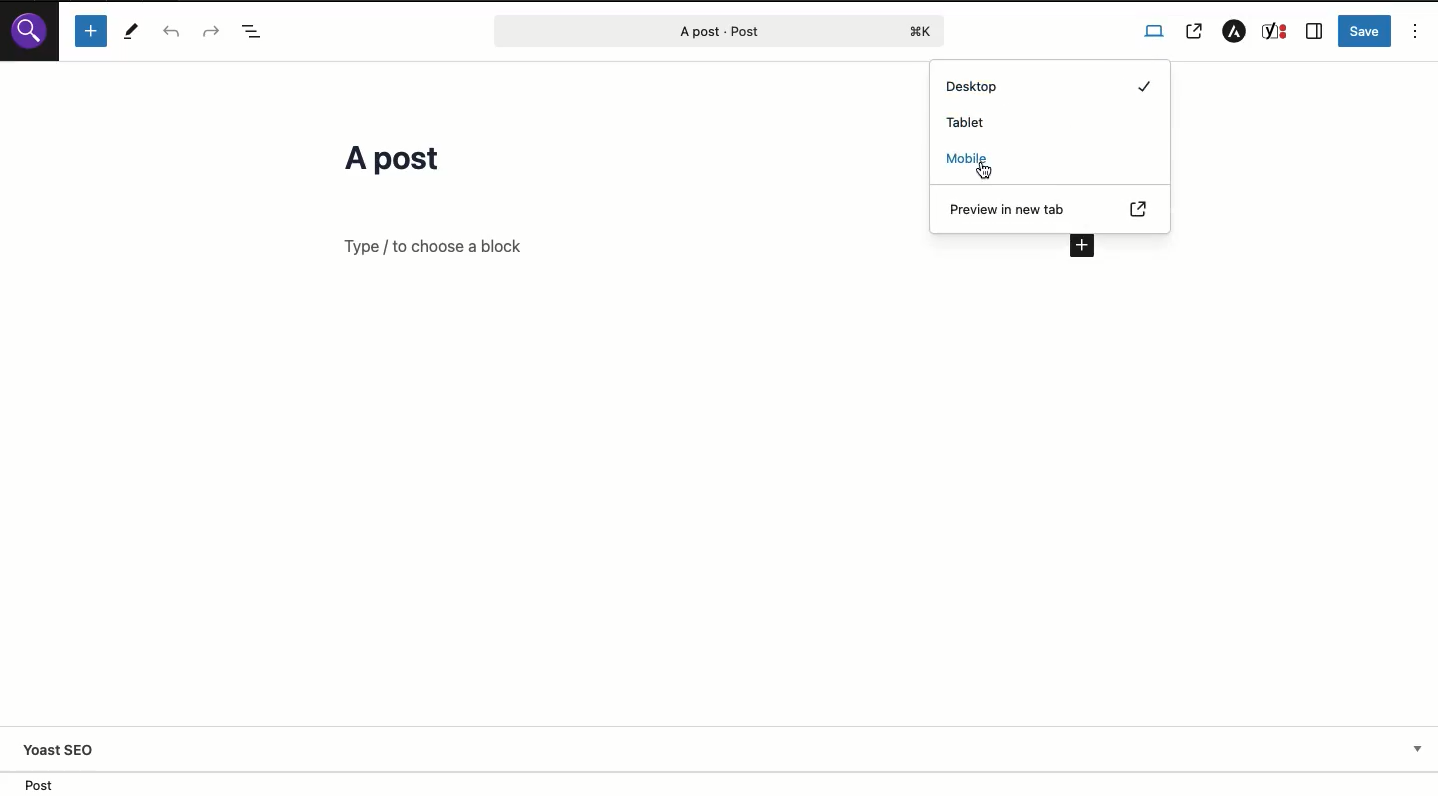 The image size is (1438, 796). I want to click on View, so click(1157, 33).